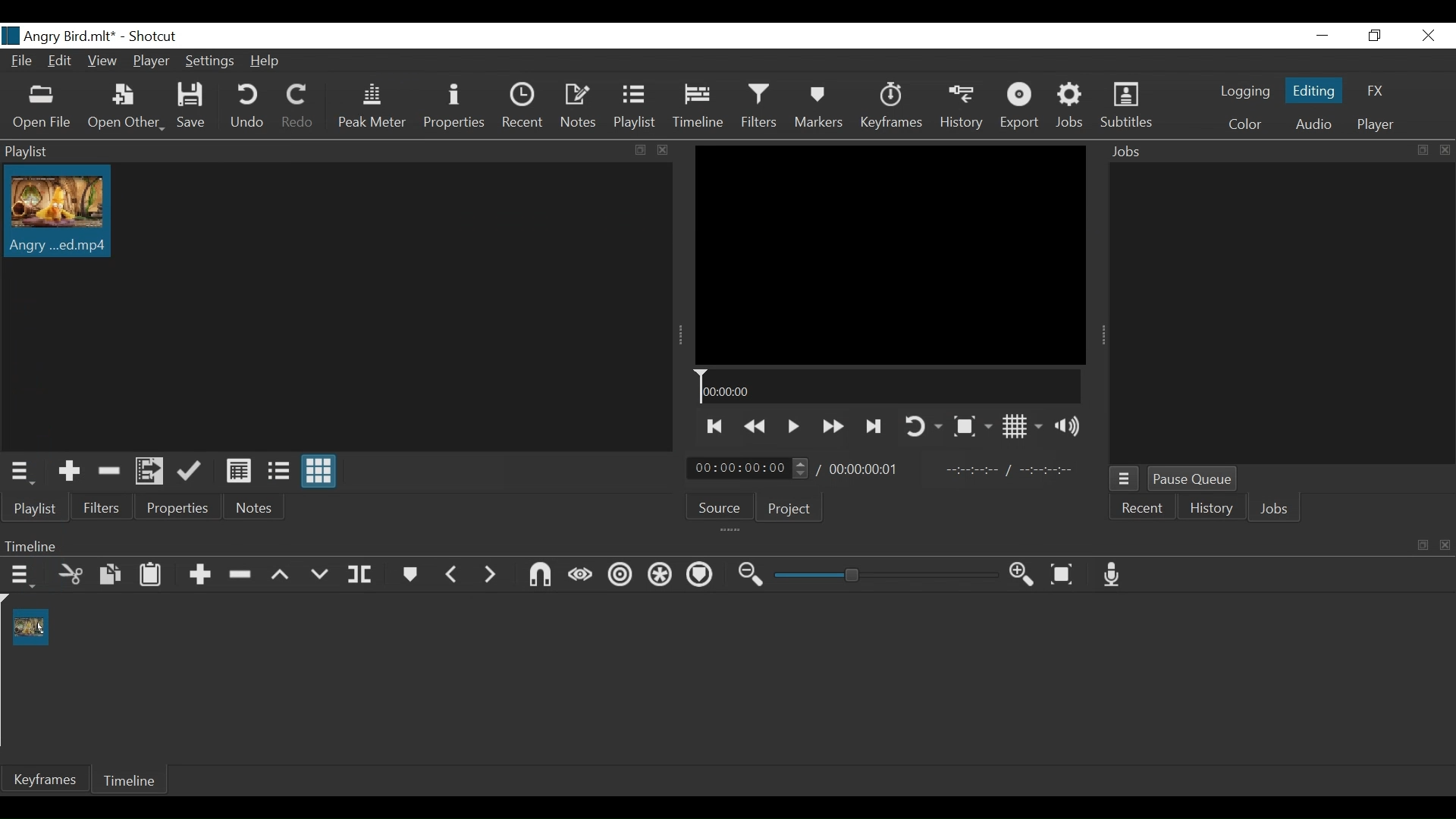  I want to click on Skip to the next point, so click(872, 428).